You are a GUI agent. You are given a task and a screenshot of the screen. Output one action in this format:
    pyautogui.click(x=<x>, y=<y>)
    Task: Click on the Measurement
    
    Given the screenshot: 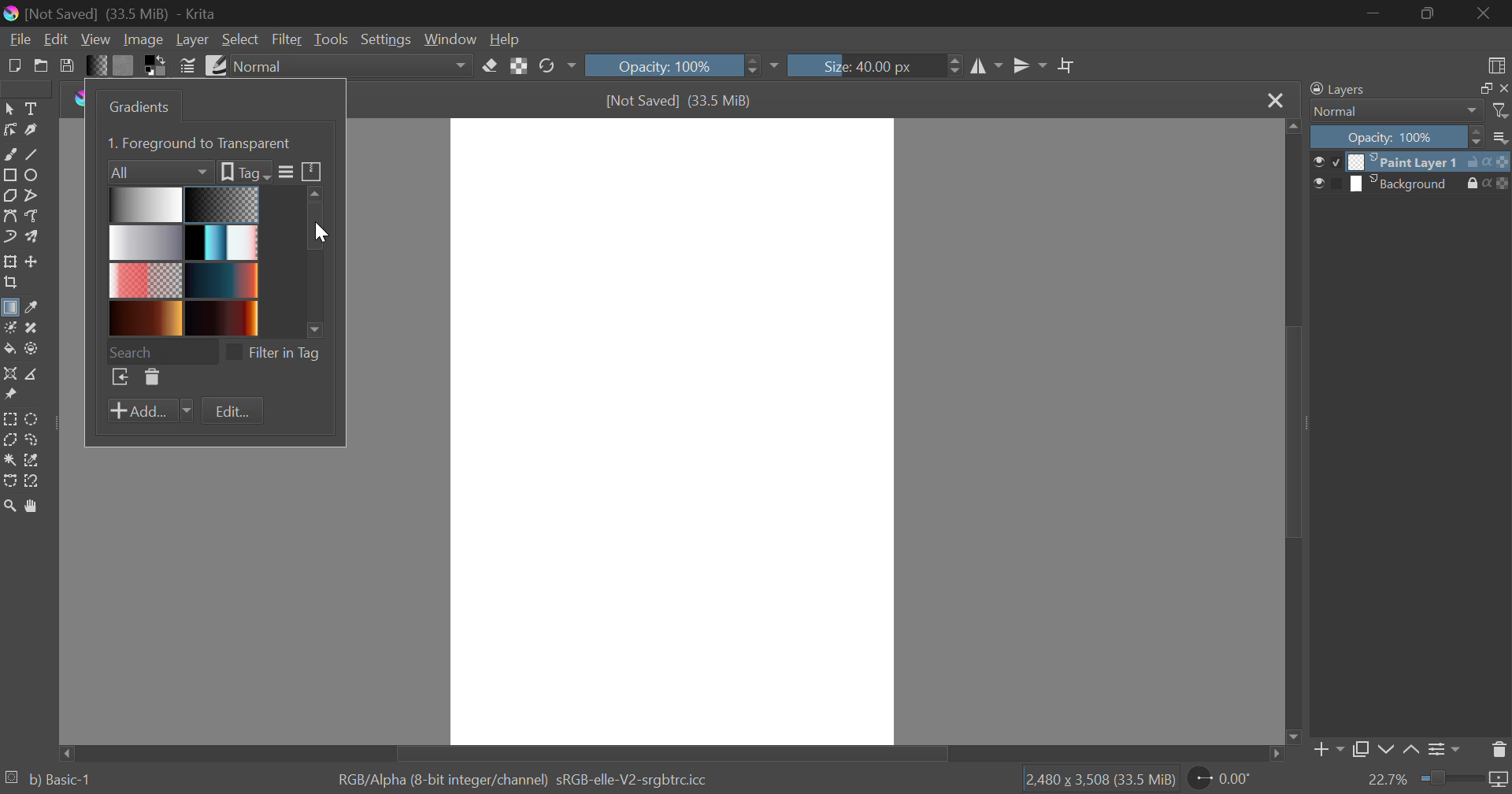 What is the action you would take?
    pyautogui.click(x=32, y=375)
    